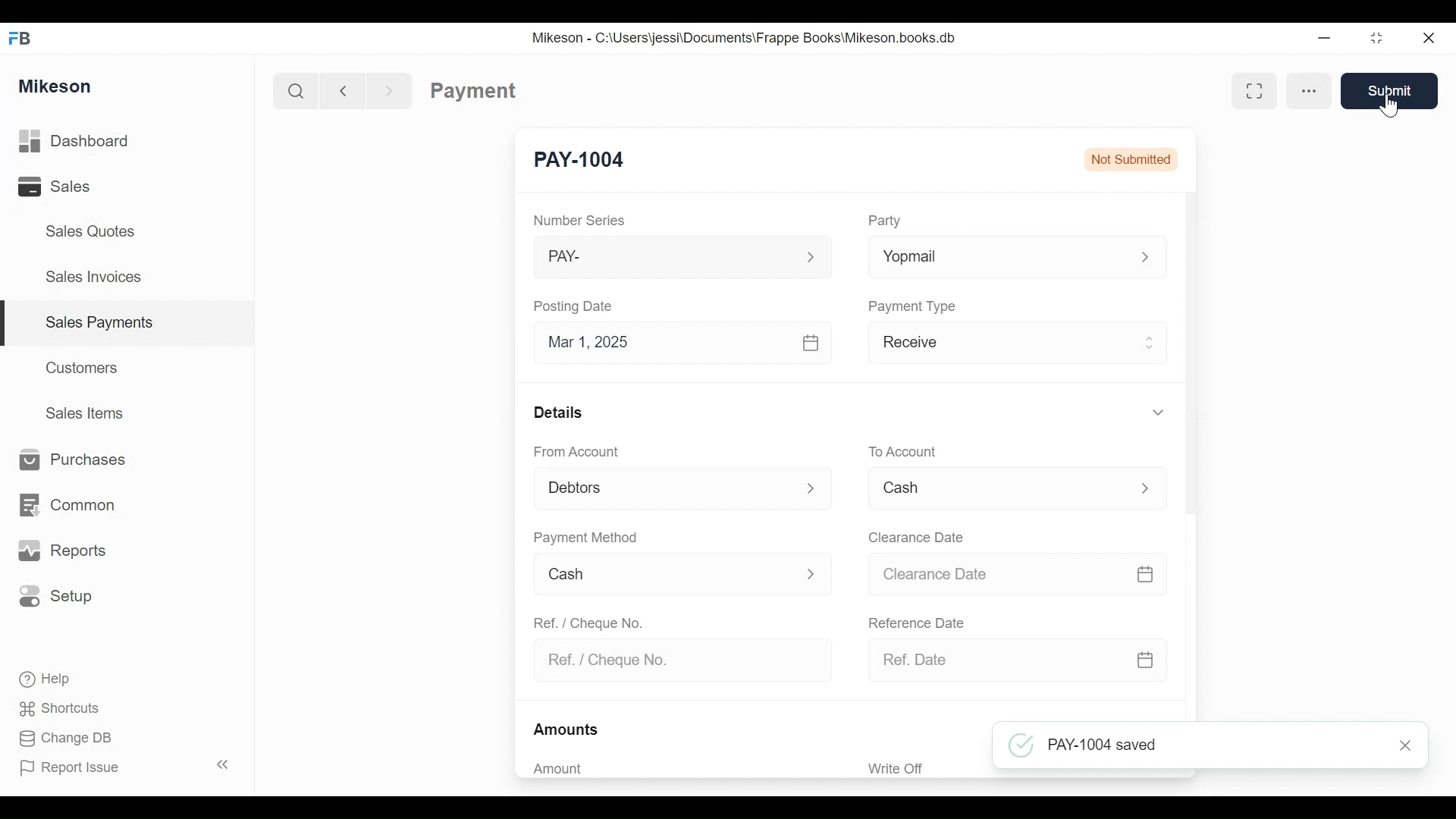  I want to click on Posting Date, so click(582, 307).